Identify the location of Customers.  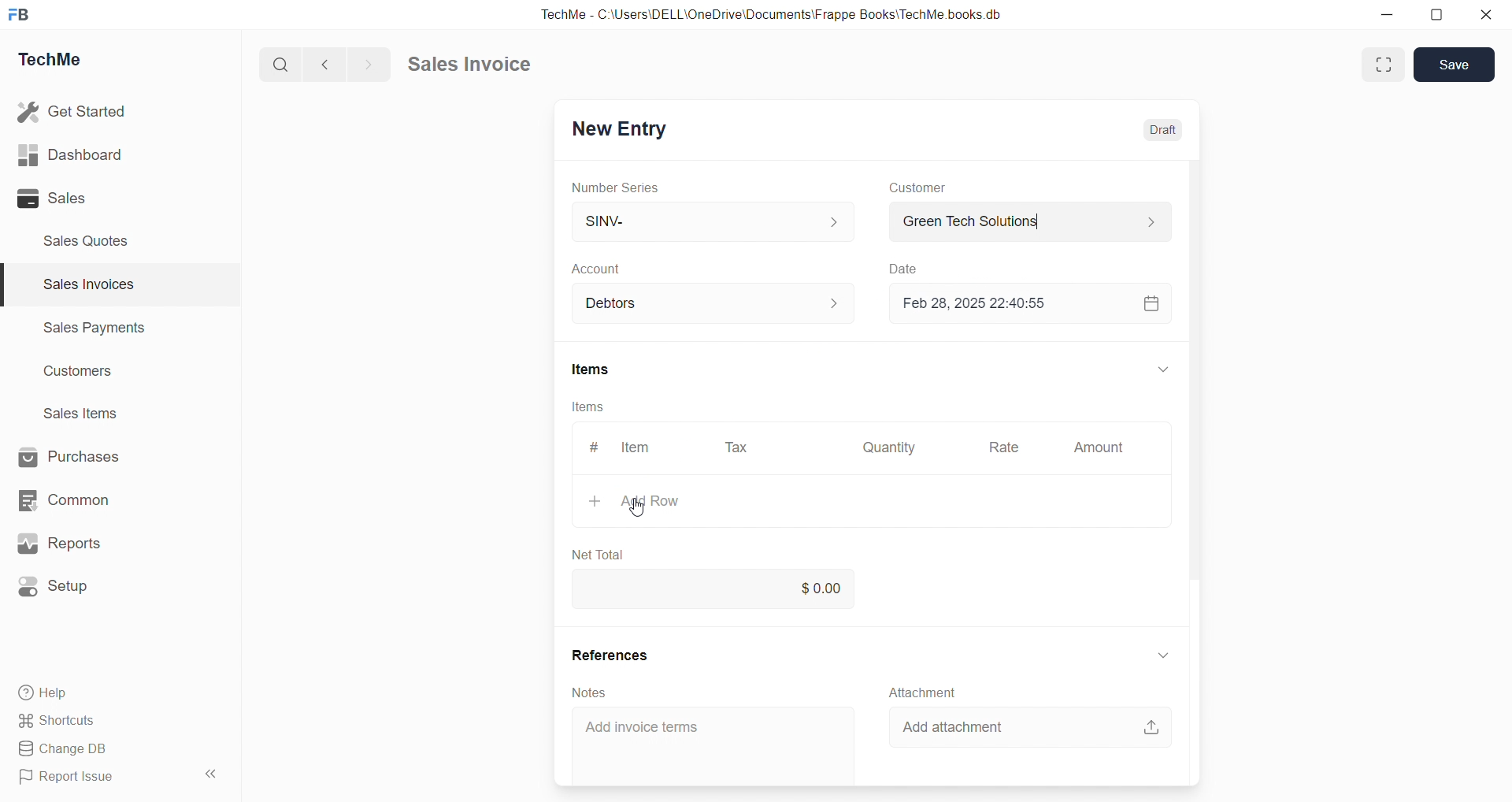
(80, 373).